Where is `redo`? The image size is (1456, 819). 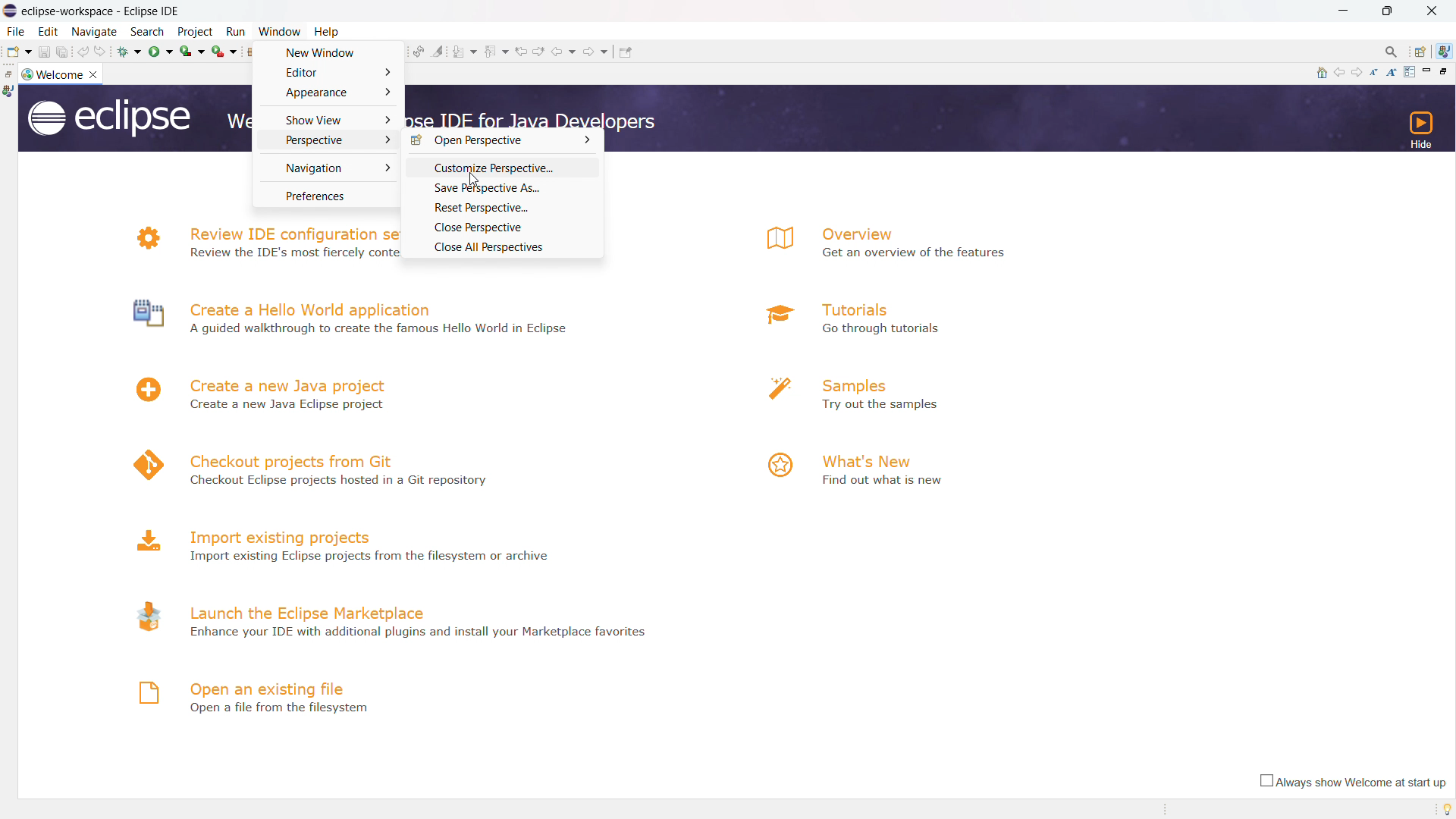
redo is located at coordinates (102, 52).